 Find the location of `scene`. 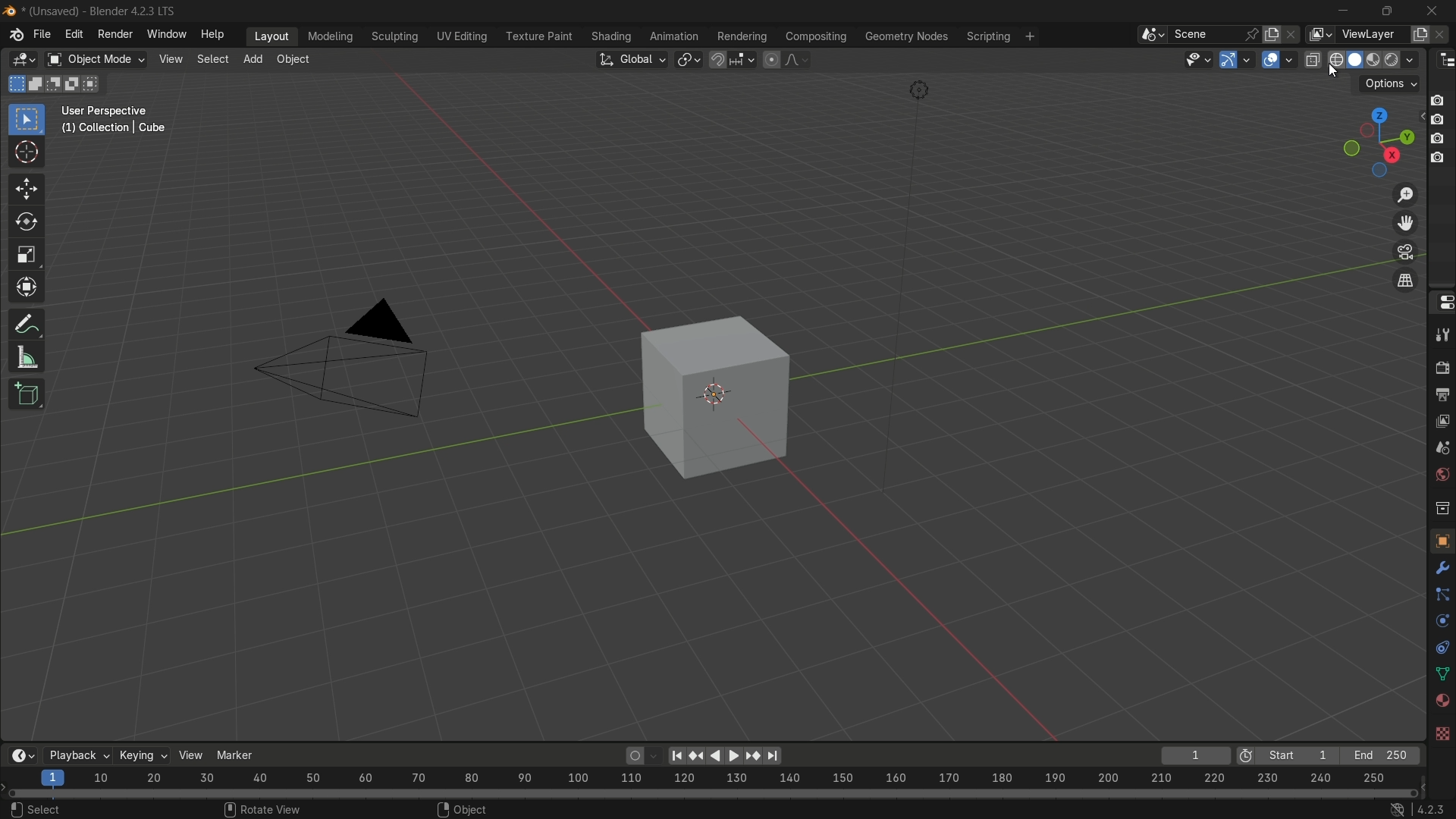

scene is located at coordinates (1439, 450).